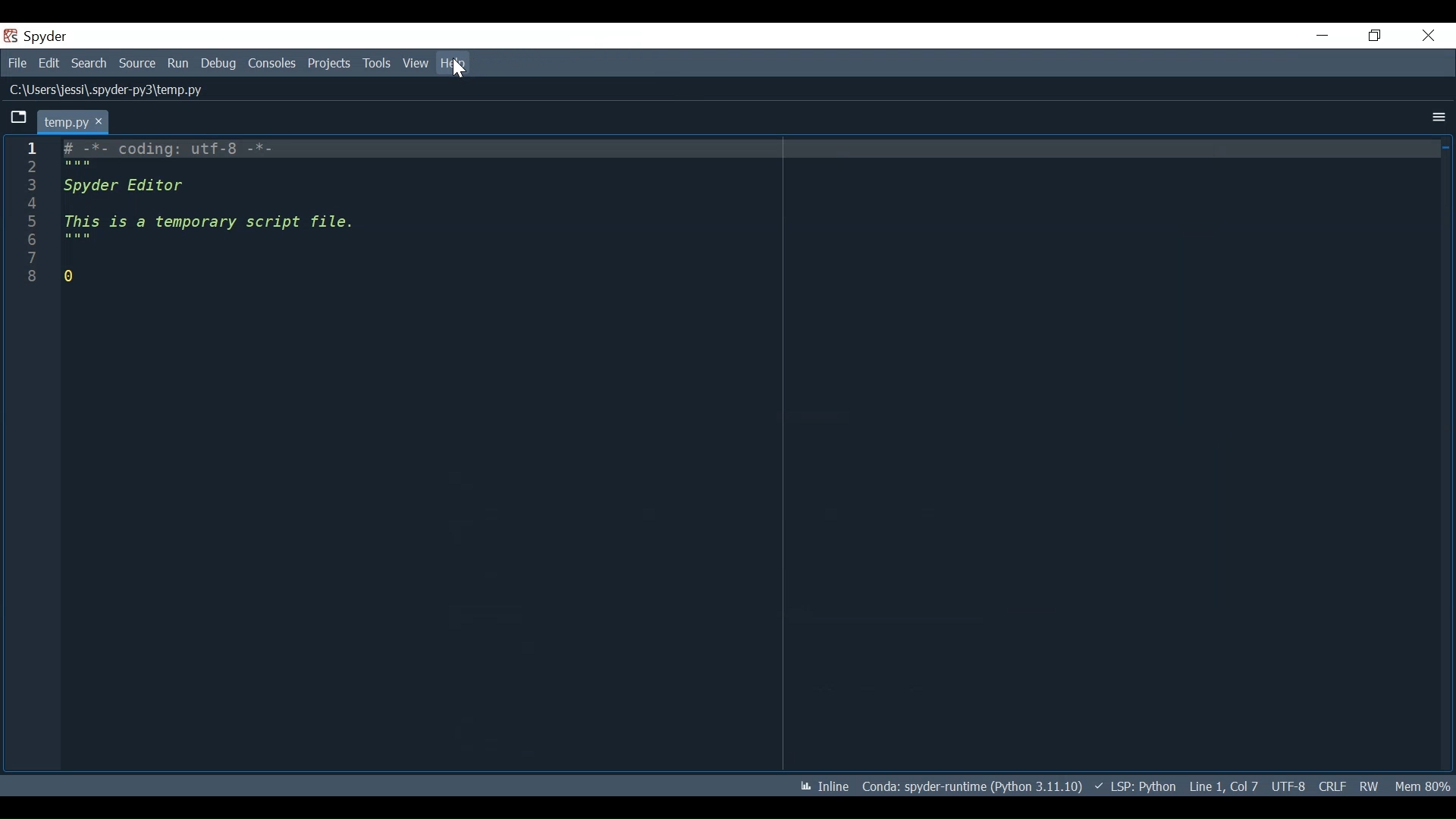 The width and height of the screenshot is (1456, 819). Describe the element at coordinates (1135, 787) in the screenshot. I see `LSP: Python` at that location.